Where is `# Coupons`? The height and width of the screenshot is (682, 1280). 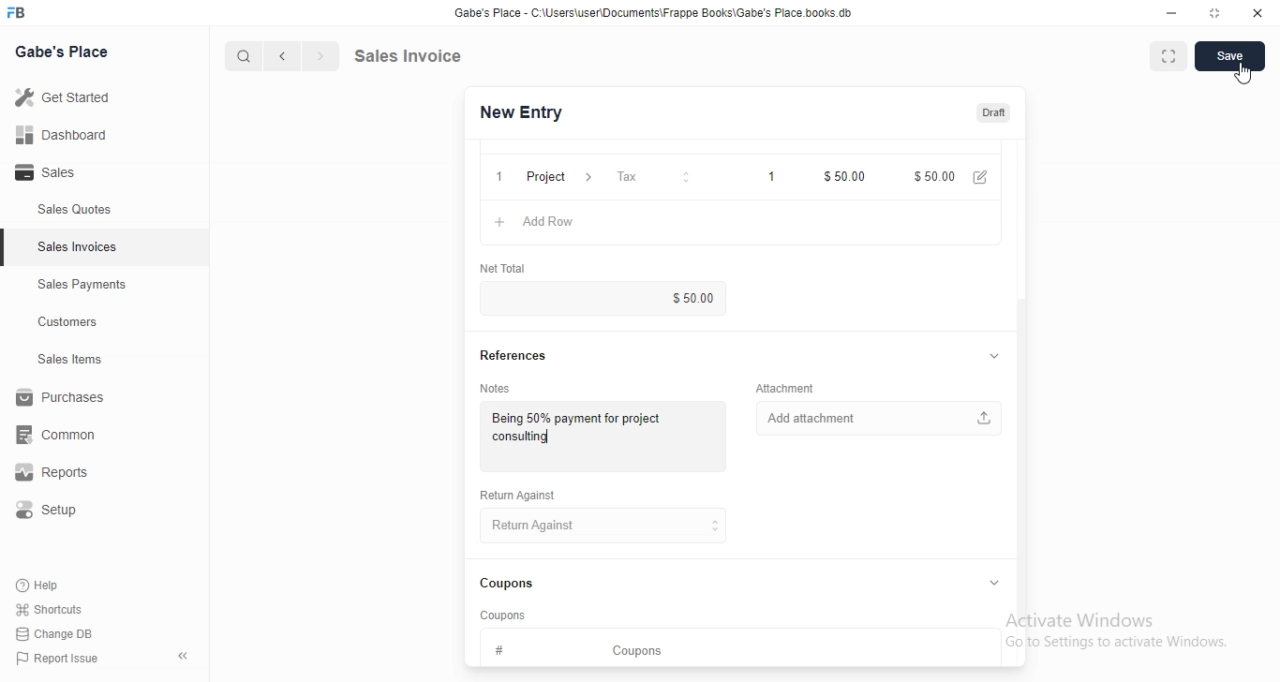
# Coupons is located at coordinates (587, 647).